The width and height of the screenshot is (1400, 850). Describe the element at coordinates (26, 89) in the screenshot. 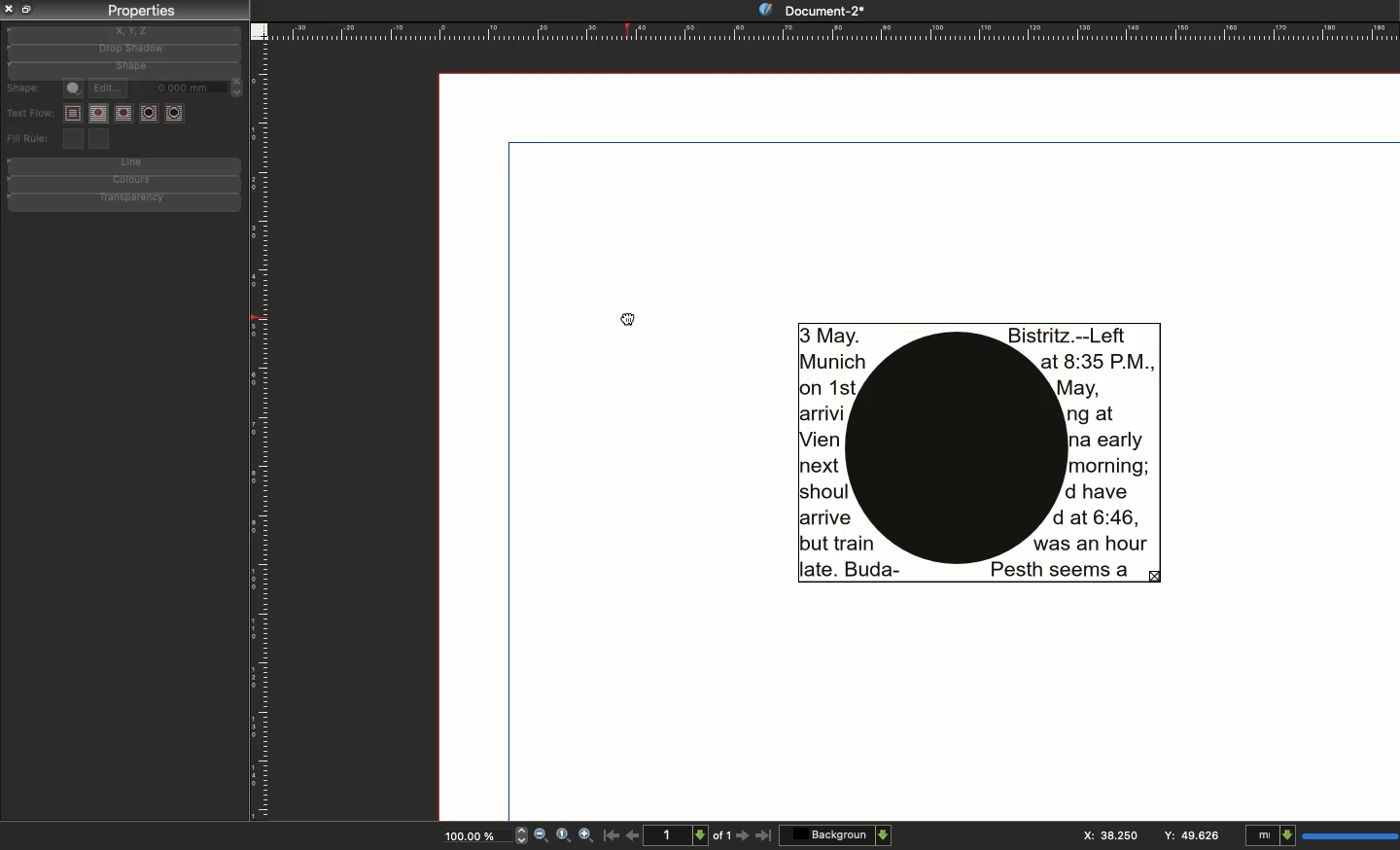

I see `Shape` at that location.